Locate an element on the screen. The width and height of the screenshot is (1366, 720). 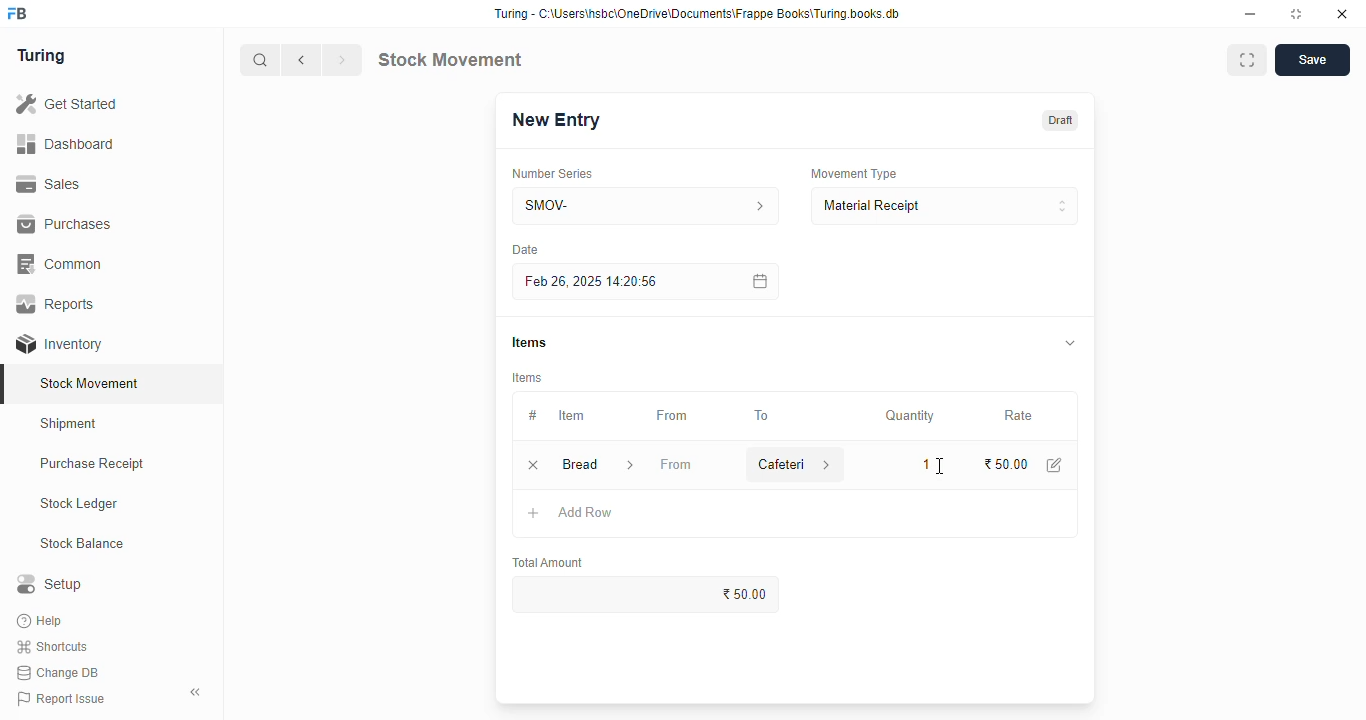
purchases is located at coordinates (64, 224).